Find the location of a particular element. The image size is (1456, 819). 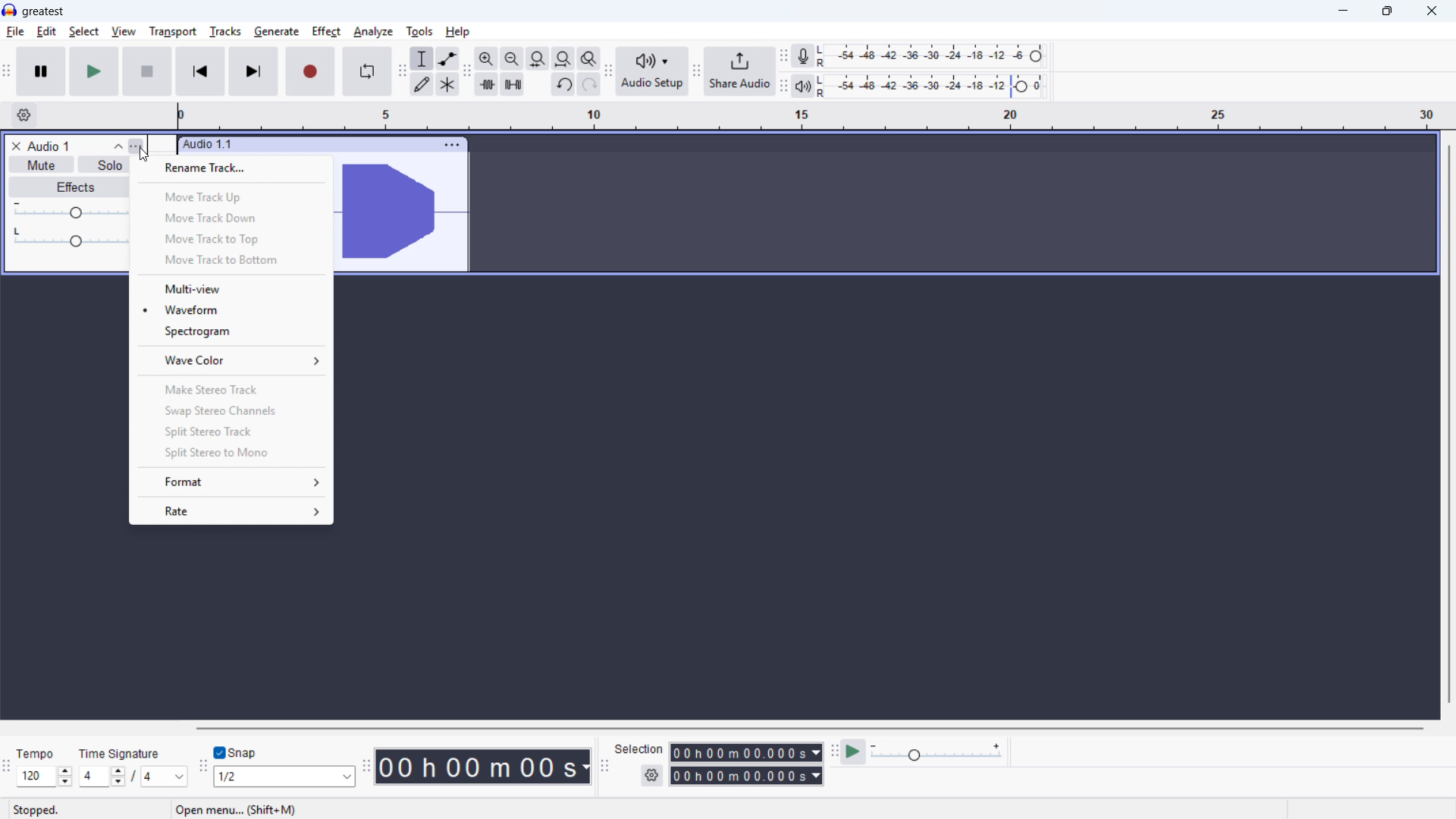

Edit  is located at coordinates (48, 32).